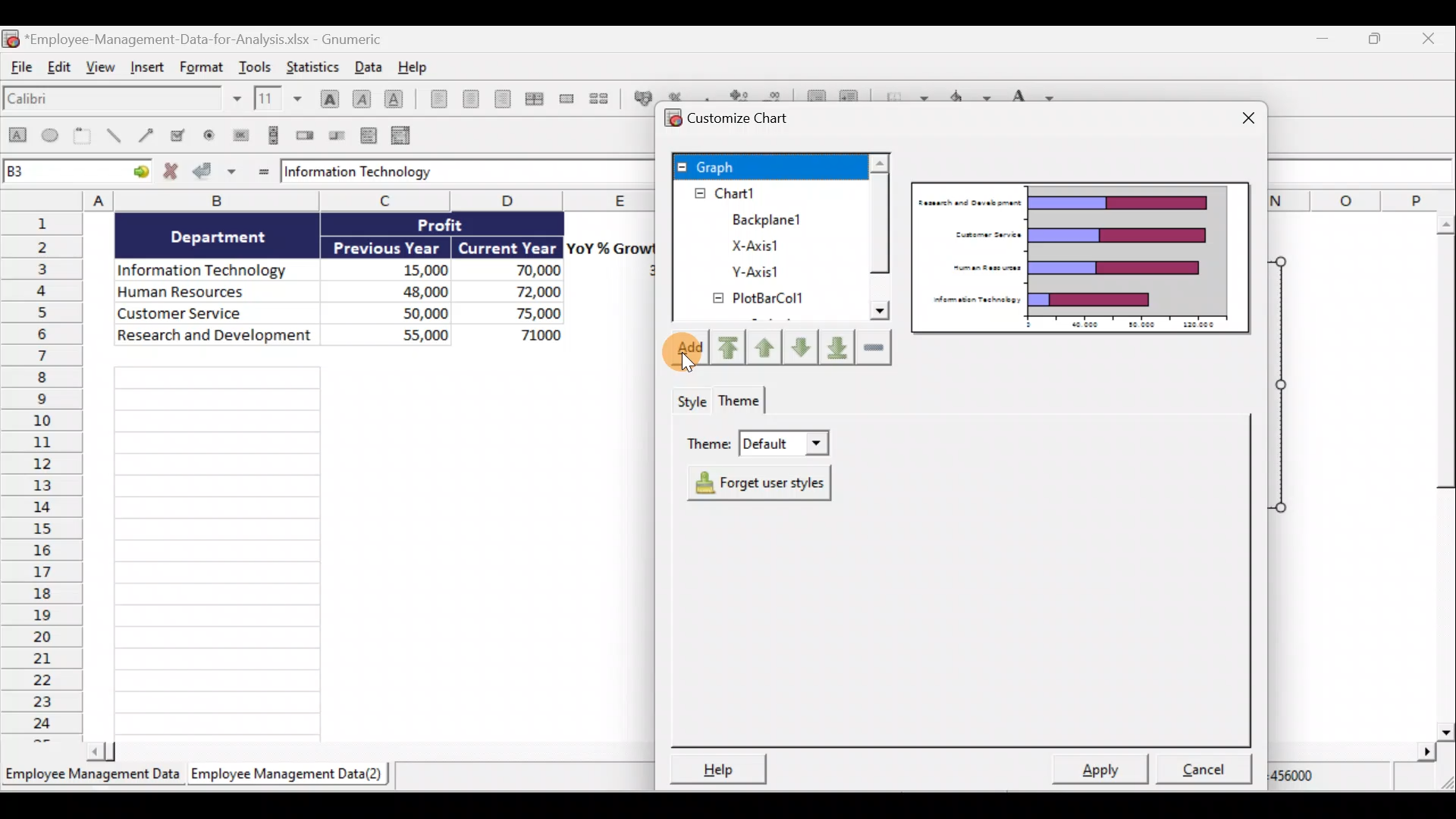 Image resolution: width=1456 pixels, height=819 pixels. What do you see at coordinates (685, 354) in the screenshot?
I see `Add` at bounding box center [685, 354].